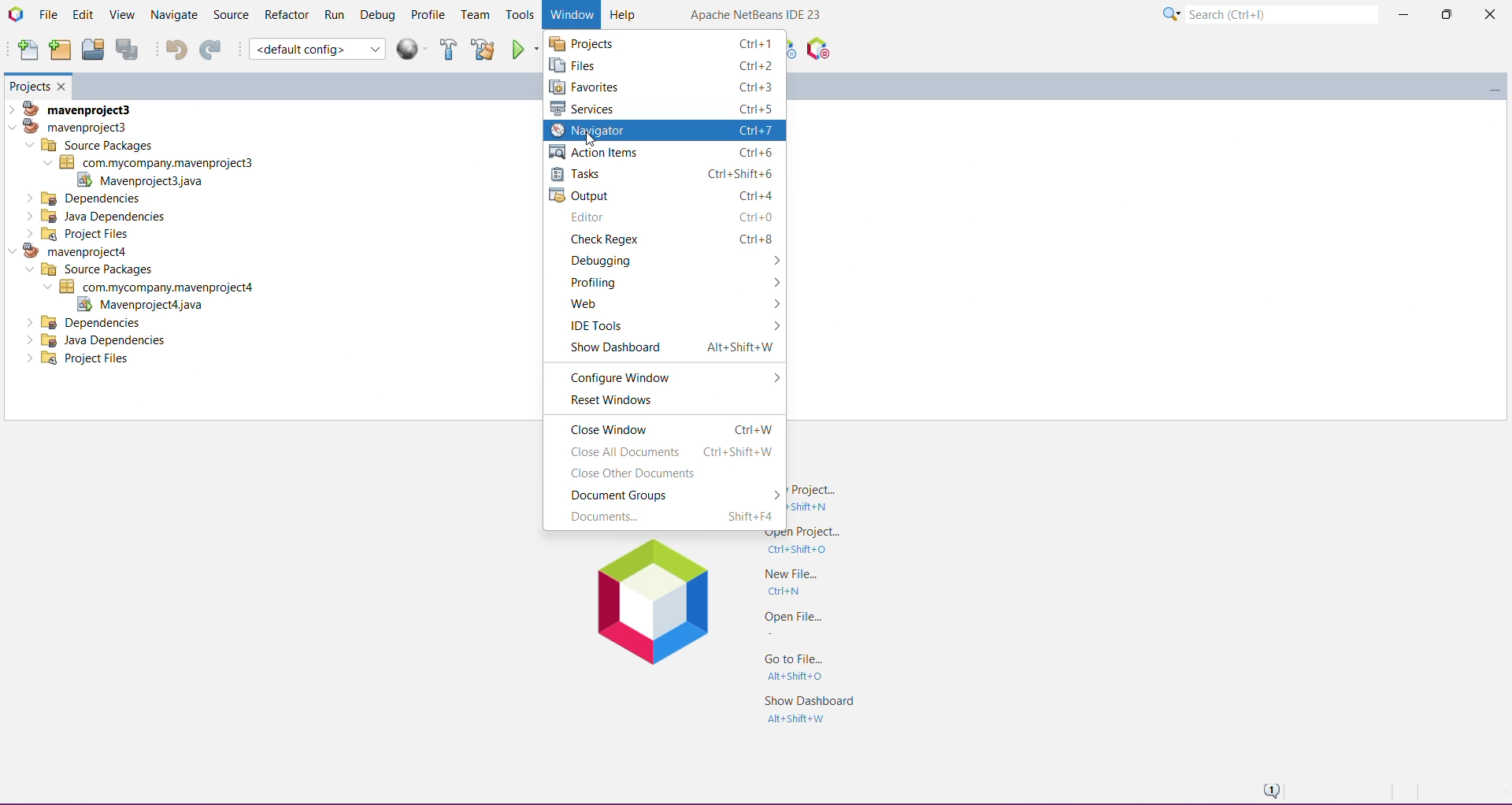  What do you see at coordinates (128, 50) in the screenshot?
I see `Save All` at bounding box center [128, 50].